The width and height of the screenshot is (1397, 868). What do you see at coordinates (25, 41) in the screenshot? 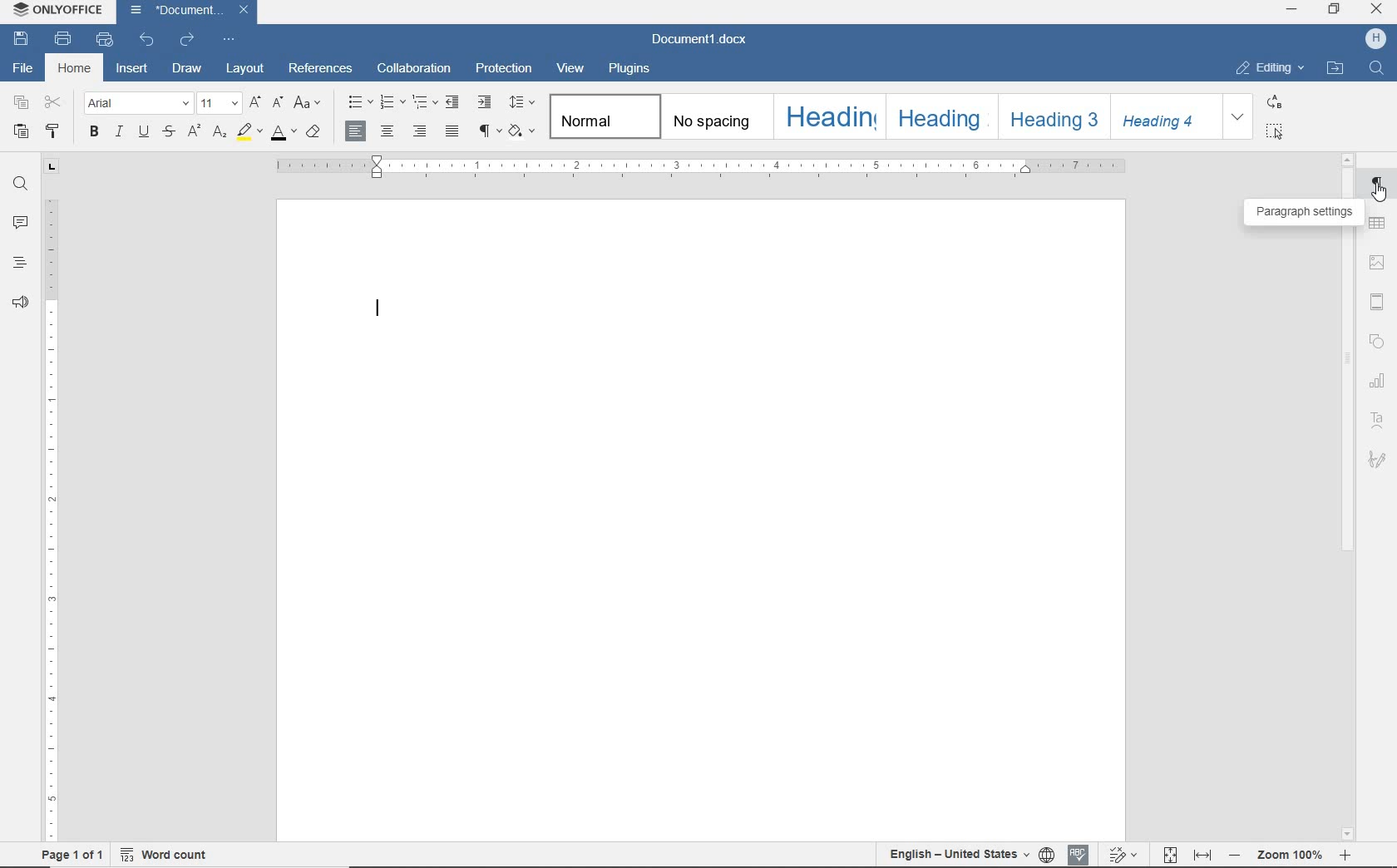
I see `save` at bounding box center [25, 41].